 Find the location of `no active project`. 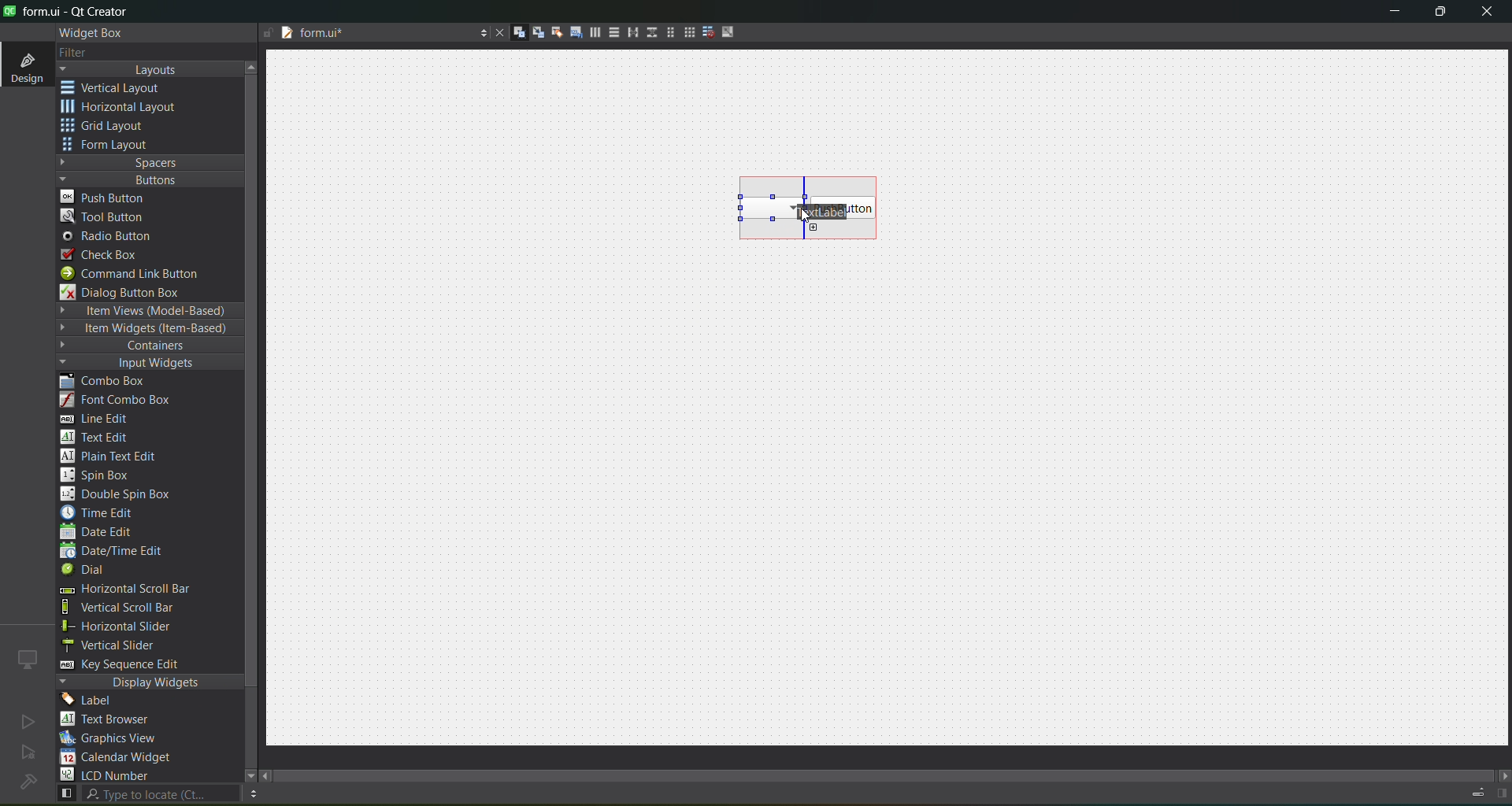

no active project is located at coordinates (28, 753).